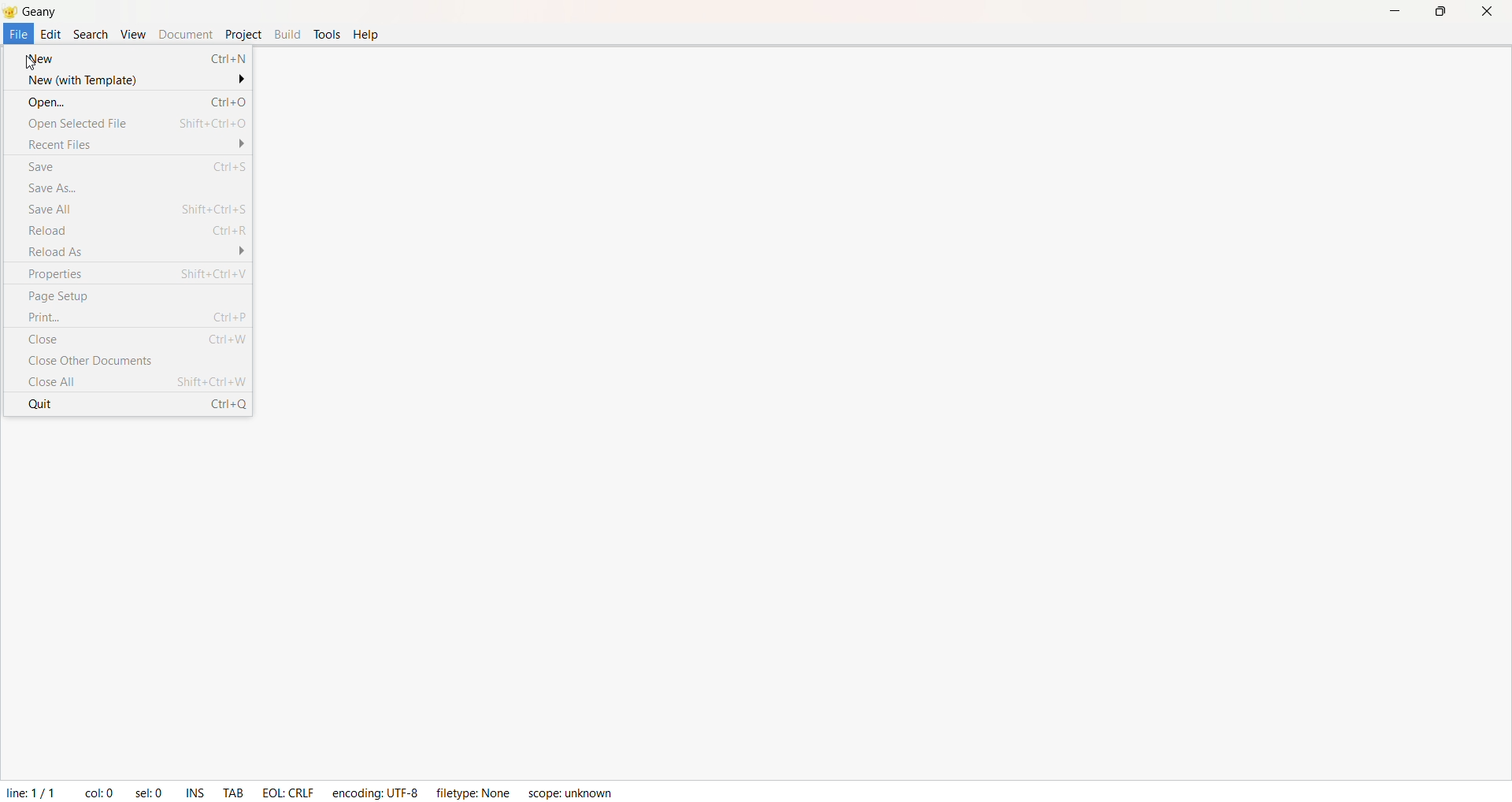 This screenshot has height=802, width=1512. I want to click on View, so click(132, 35).